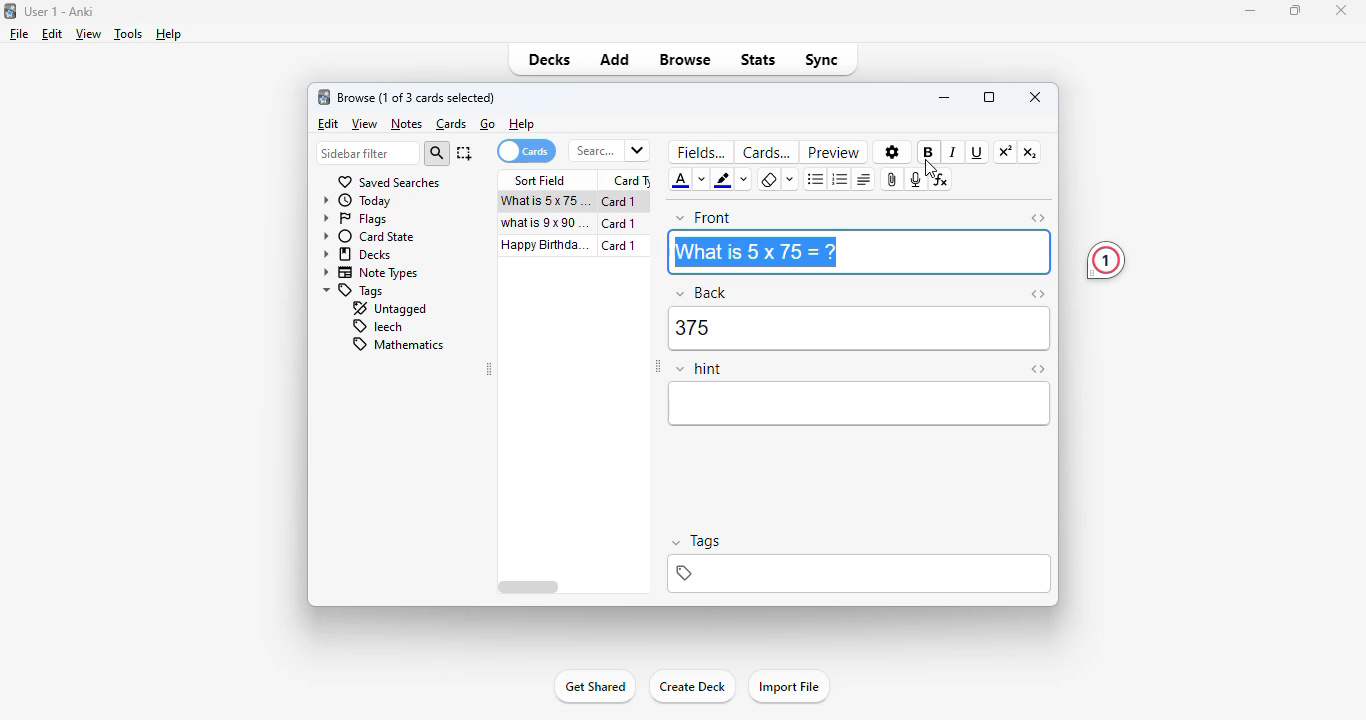 The width and height of the screenshot is (1366, 720). What do you see at coordinates (1106, 261) in the screenshot?
I see `1` at bounding box center [1106, 261].